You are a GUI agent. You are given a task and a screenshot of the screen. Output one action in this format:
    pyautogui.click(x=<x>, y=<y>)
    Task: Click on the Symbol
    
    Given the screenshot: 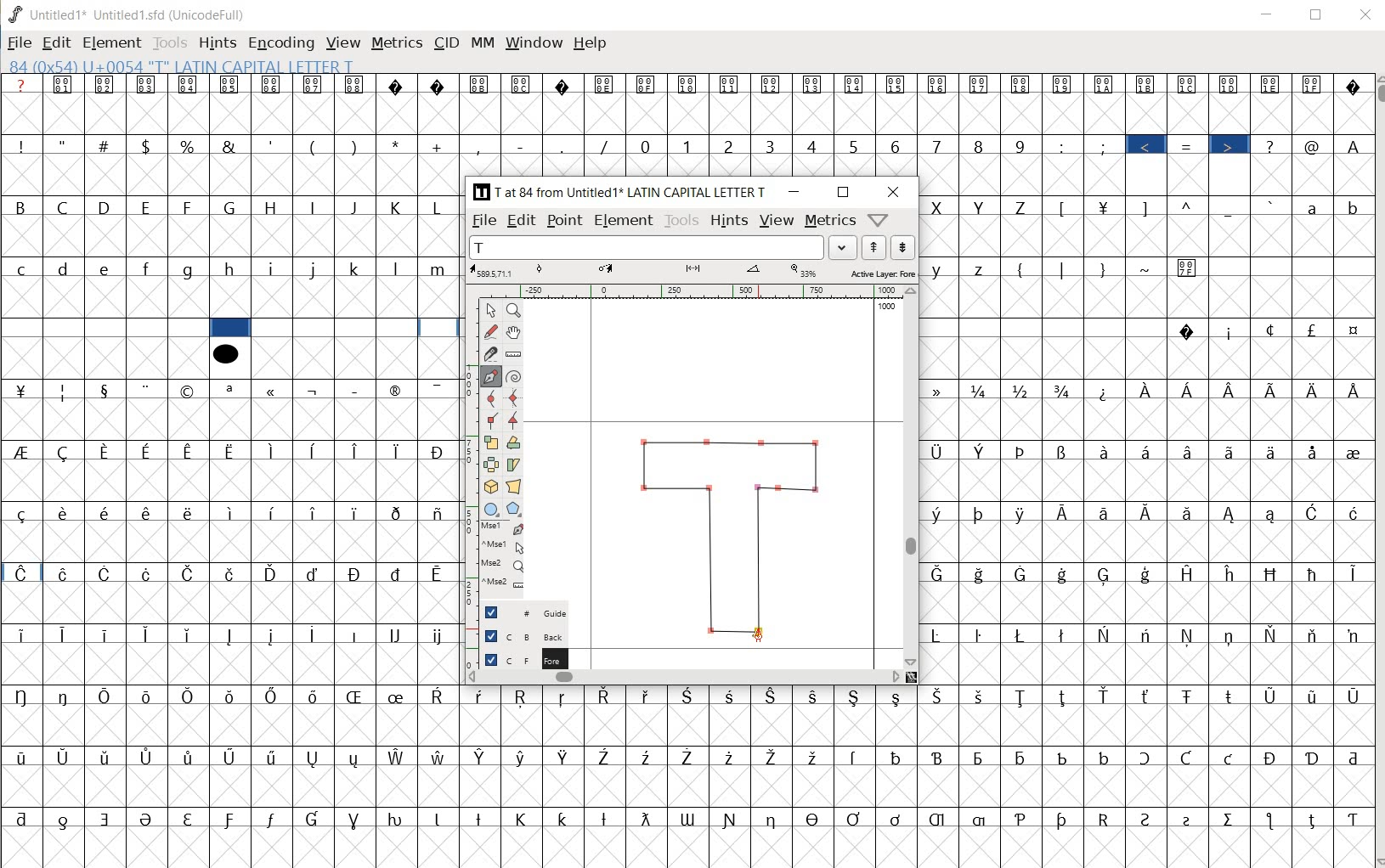 What is the action you would take?
    pyautogui.click(x=231, y=390)
    